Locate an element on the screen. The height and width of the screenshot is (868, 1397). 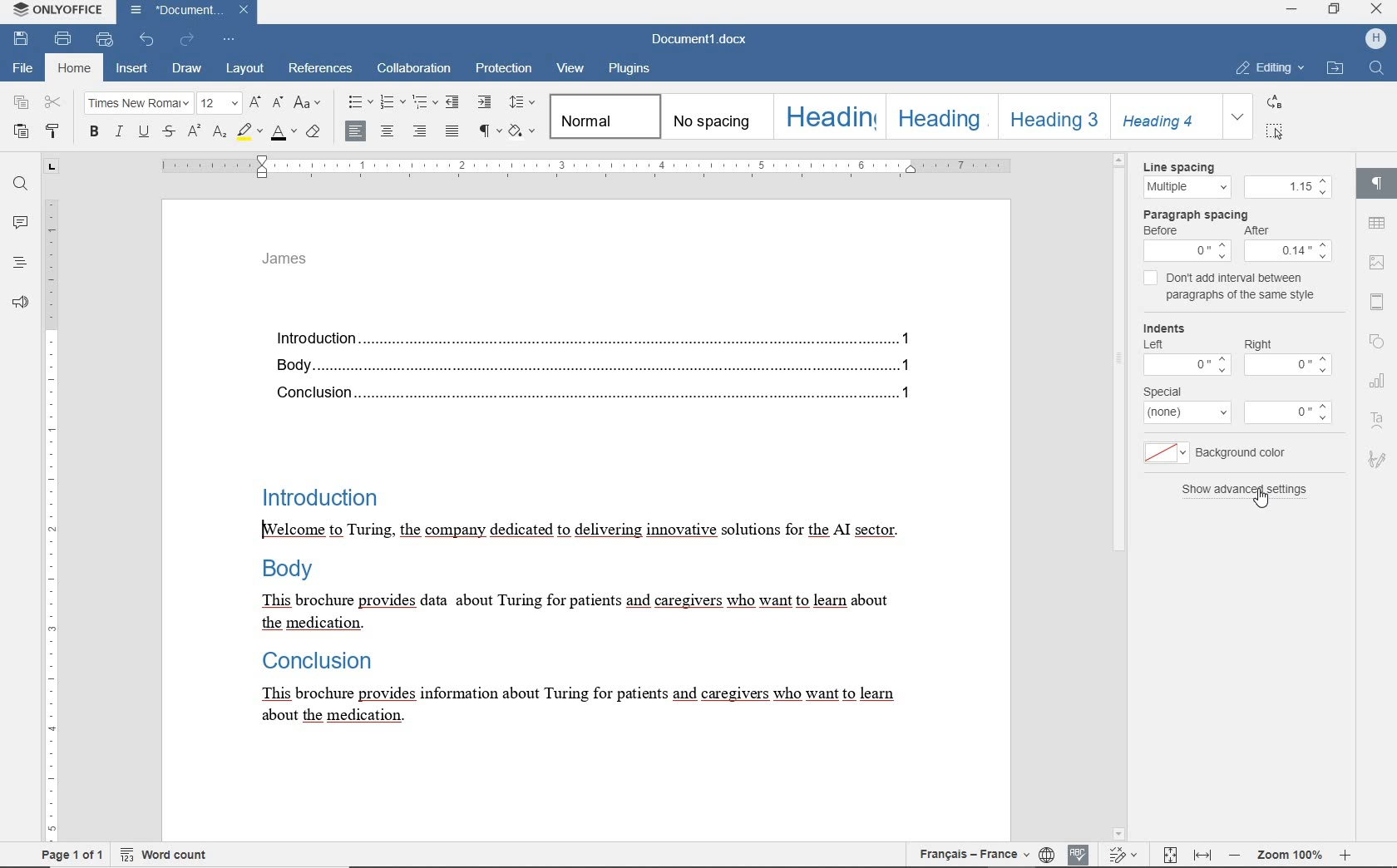
icon is located at coordinates (1375, 37).